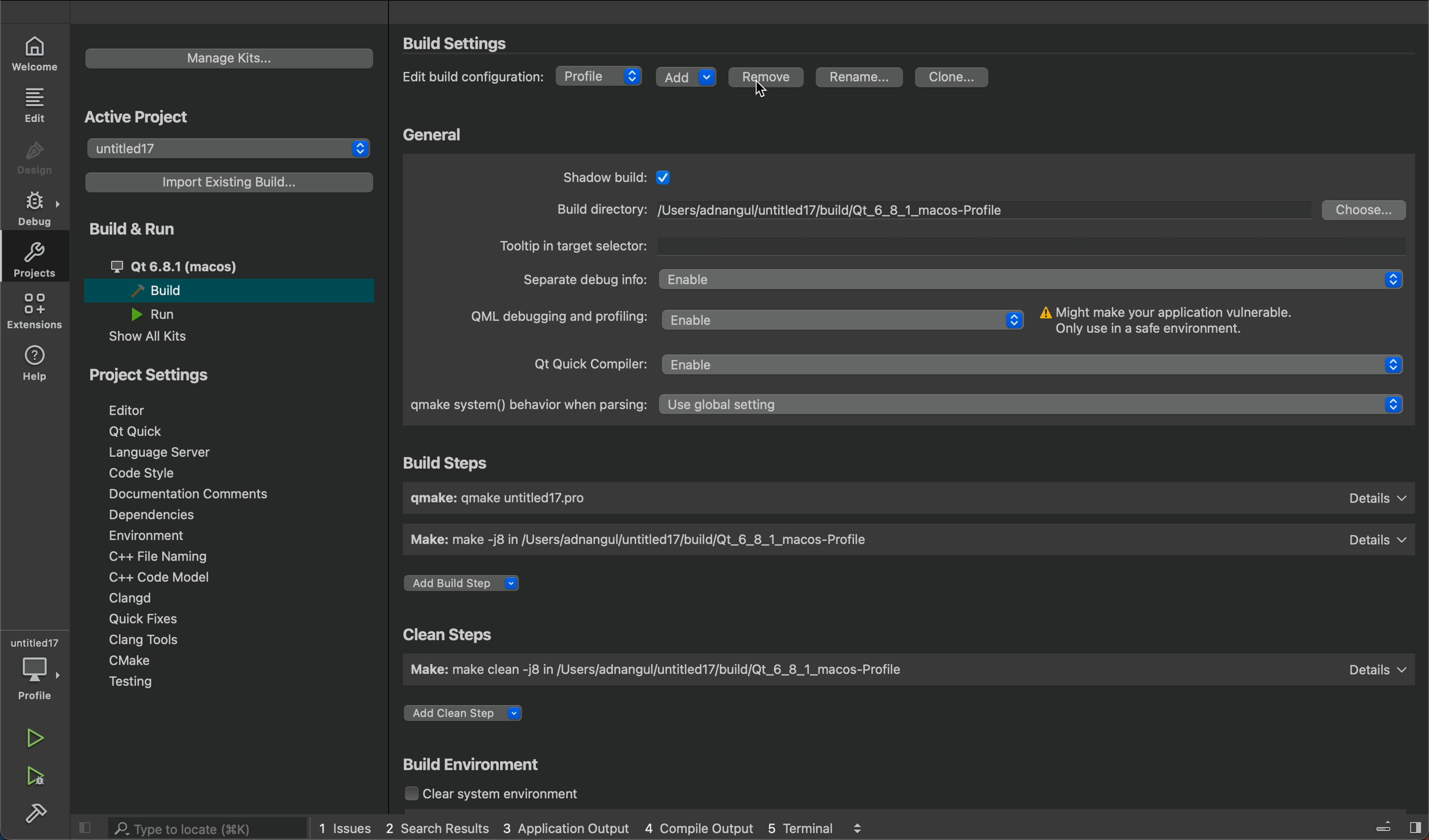 Image resolution: width=1429 pixels, height=840 pixels. Describe the element at coordinates (144, 685) in the screenshot. I see `testing` at that location.